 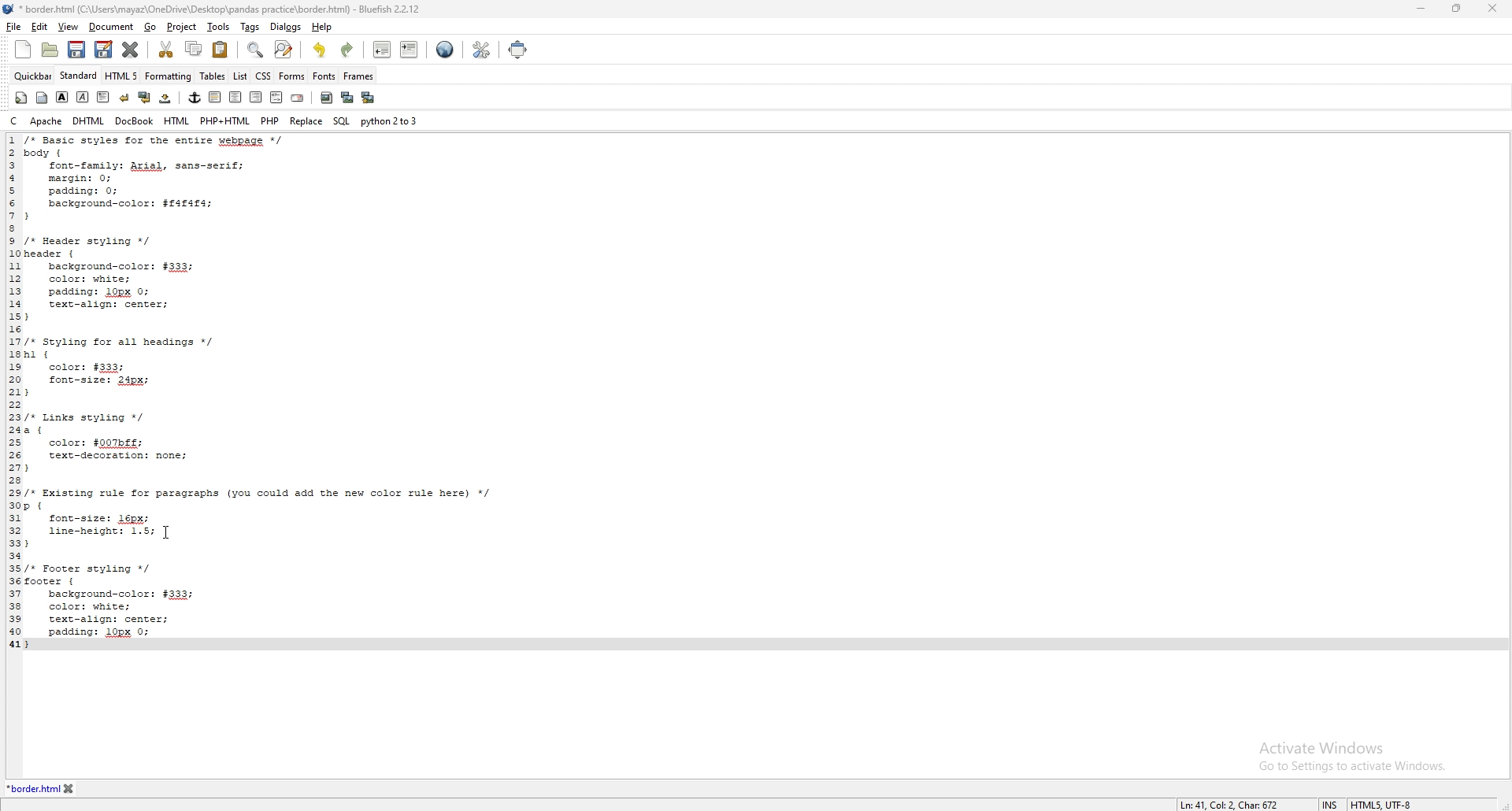 What do you see at coordinates (151, 28) in the screenshot?
I see `go` at bounding box center [151, 28].